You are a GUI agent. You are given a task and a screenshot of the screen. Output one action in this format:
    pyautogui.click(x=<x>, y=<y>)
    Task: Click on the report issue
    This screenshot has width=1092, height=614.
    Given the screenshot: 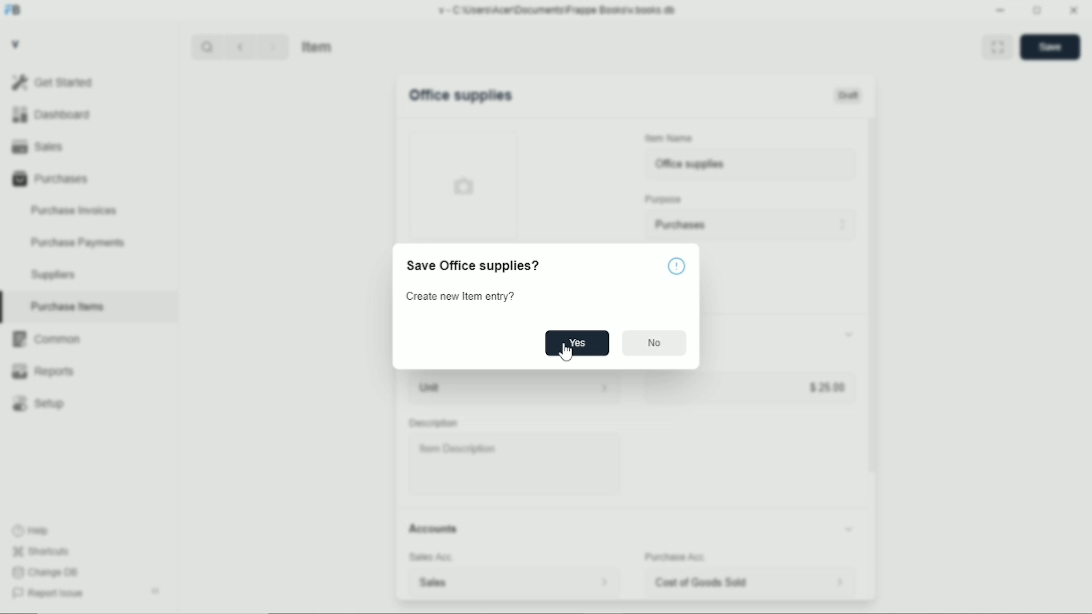 What is the action you would take?
    pyautogui.click(x=48, y=593)
    